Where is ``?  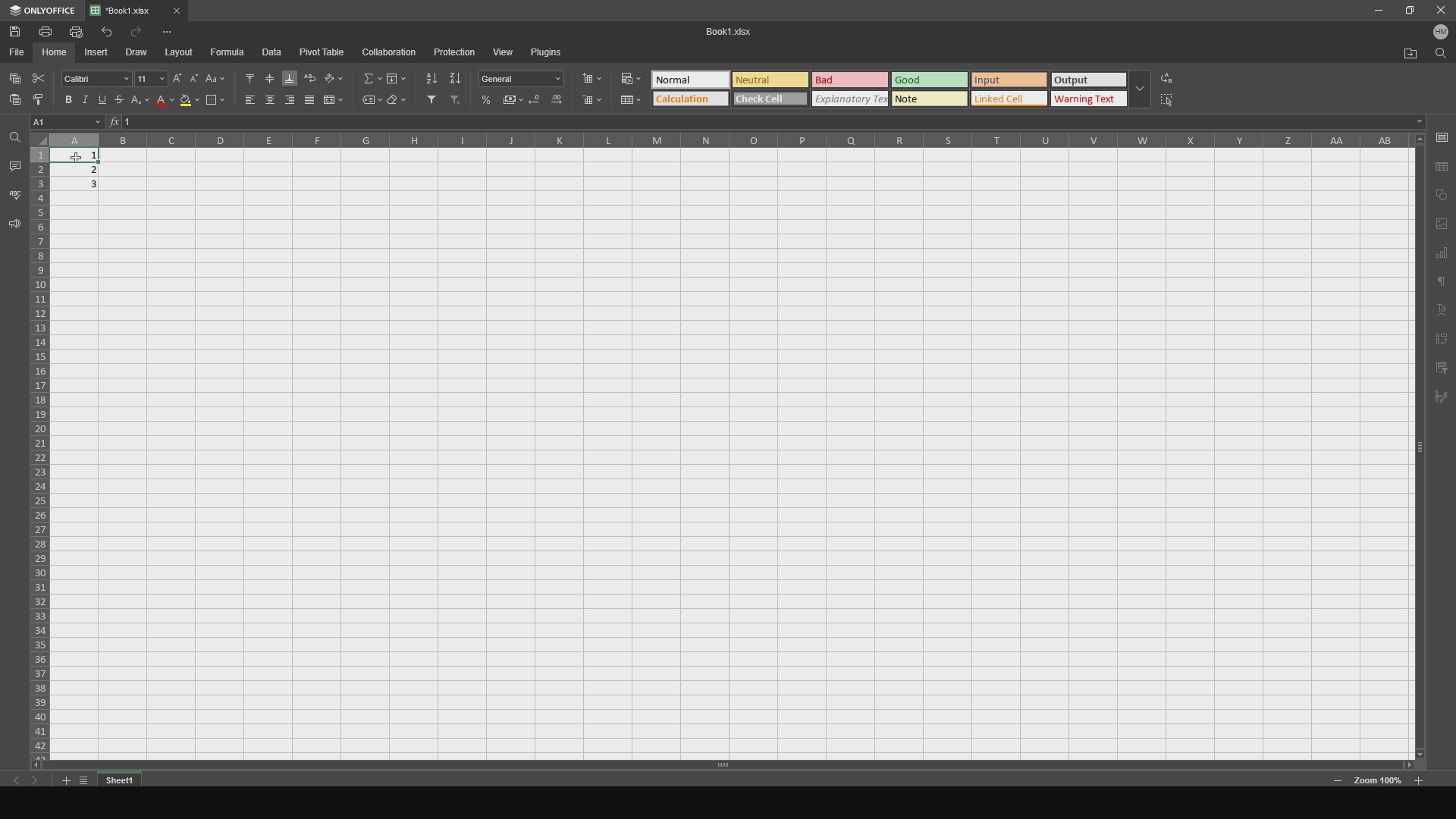
 is located at coordinates (142, 105).